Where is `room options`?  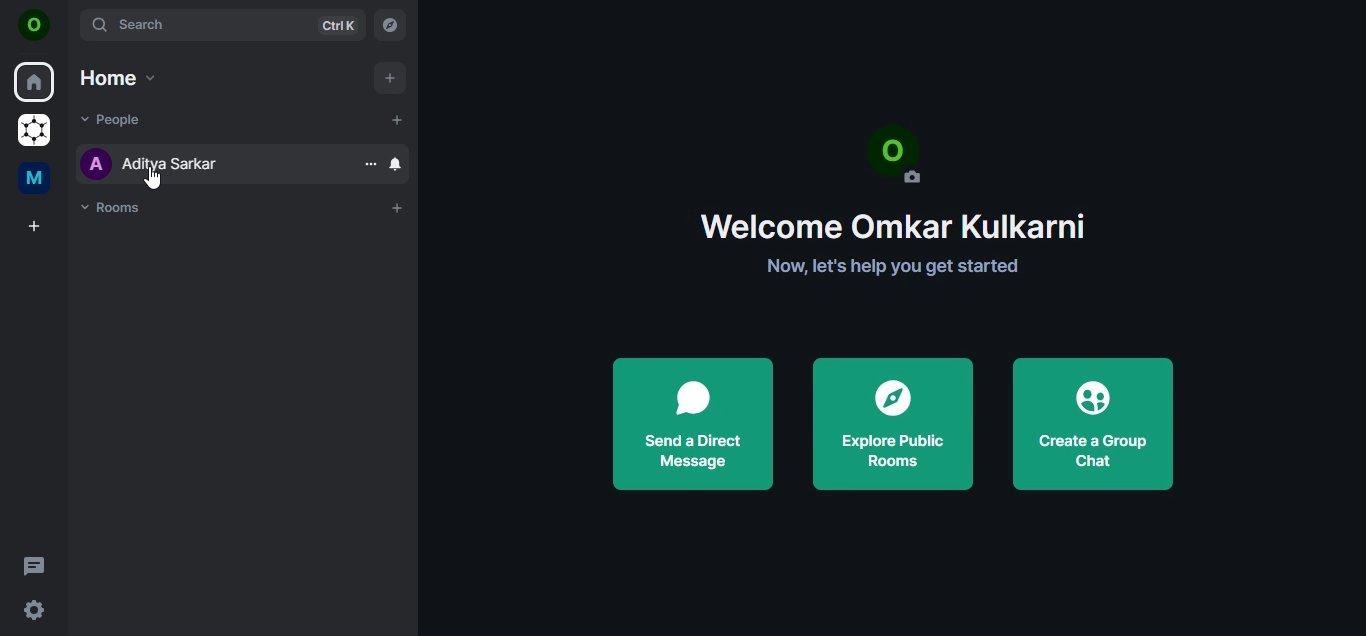 room options is located at coordinates (367, 164).